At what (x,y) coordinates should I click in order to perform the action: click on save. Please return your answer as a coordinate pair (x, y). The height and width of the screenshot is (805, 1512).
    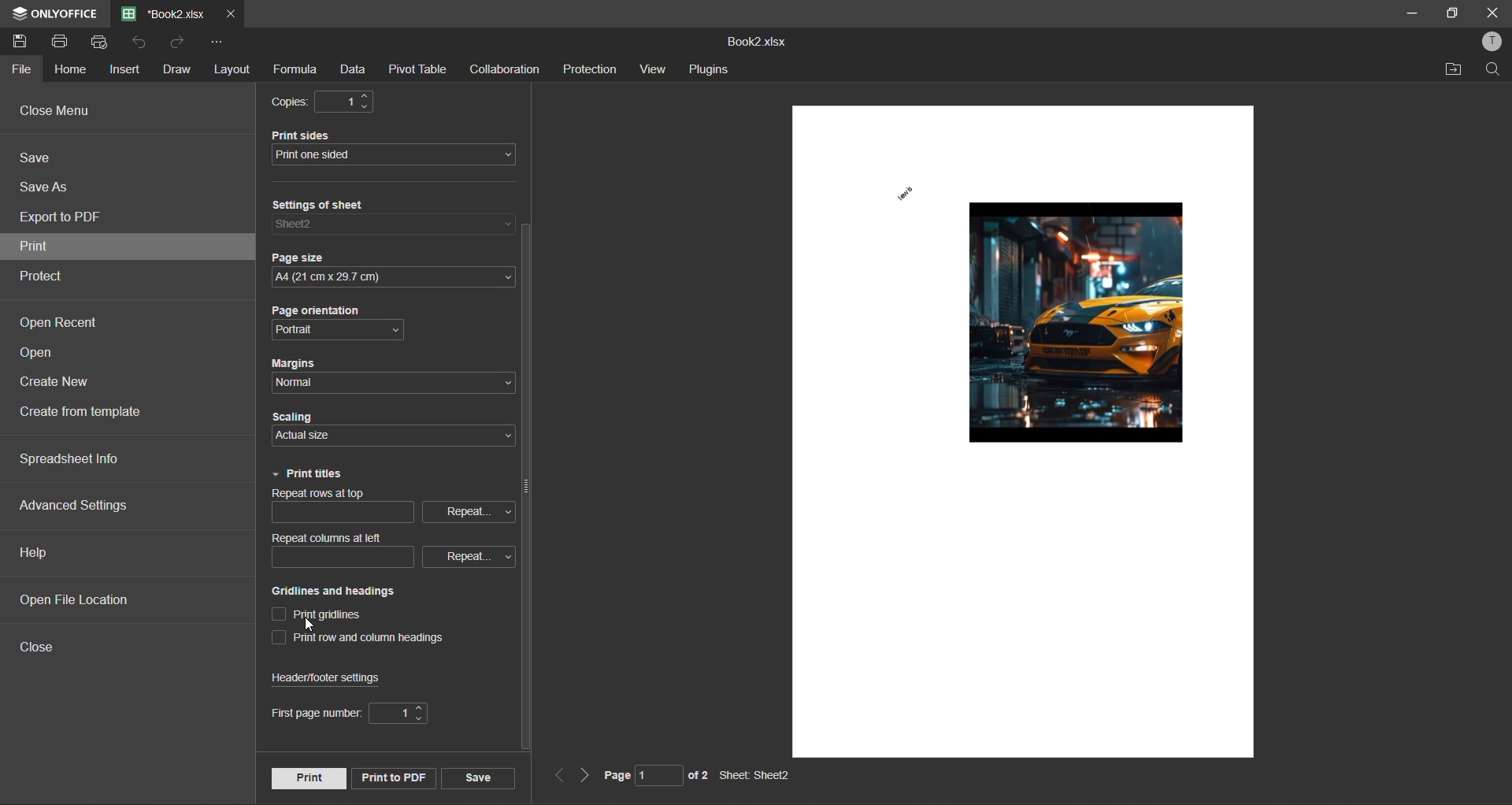
    Looking at the image, I should click on (39, 157).